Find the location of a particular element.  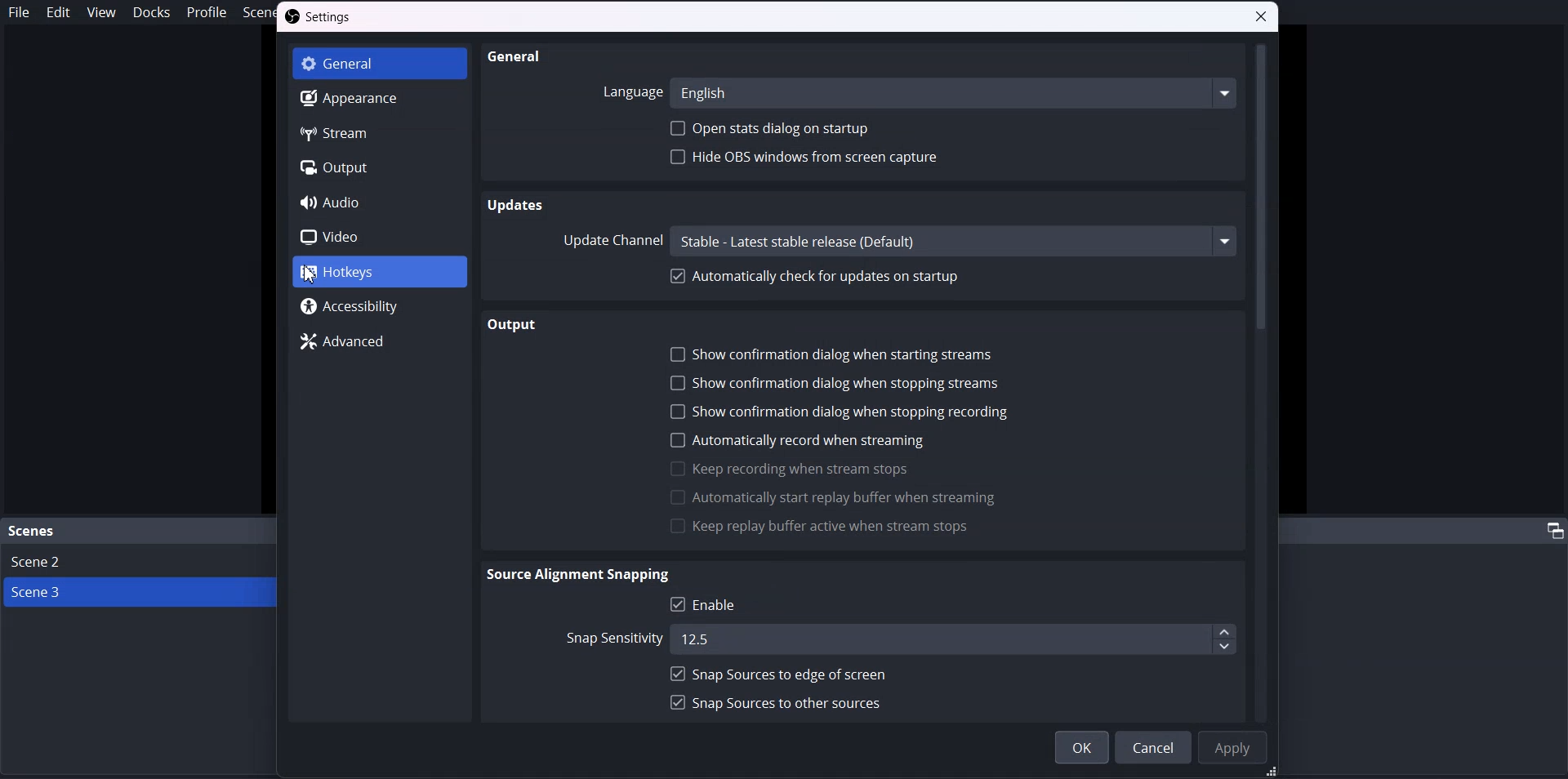

Settings is located at coordinates (323, 18).